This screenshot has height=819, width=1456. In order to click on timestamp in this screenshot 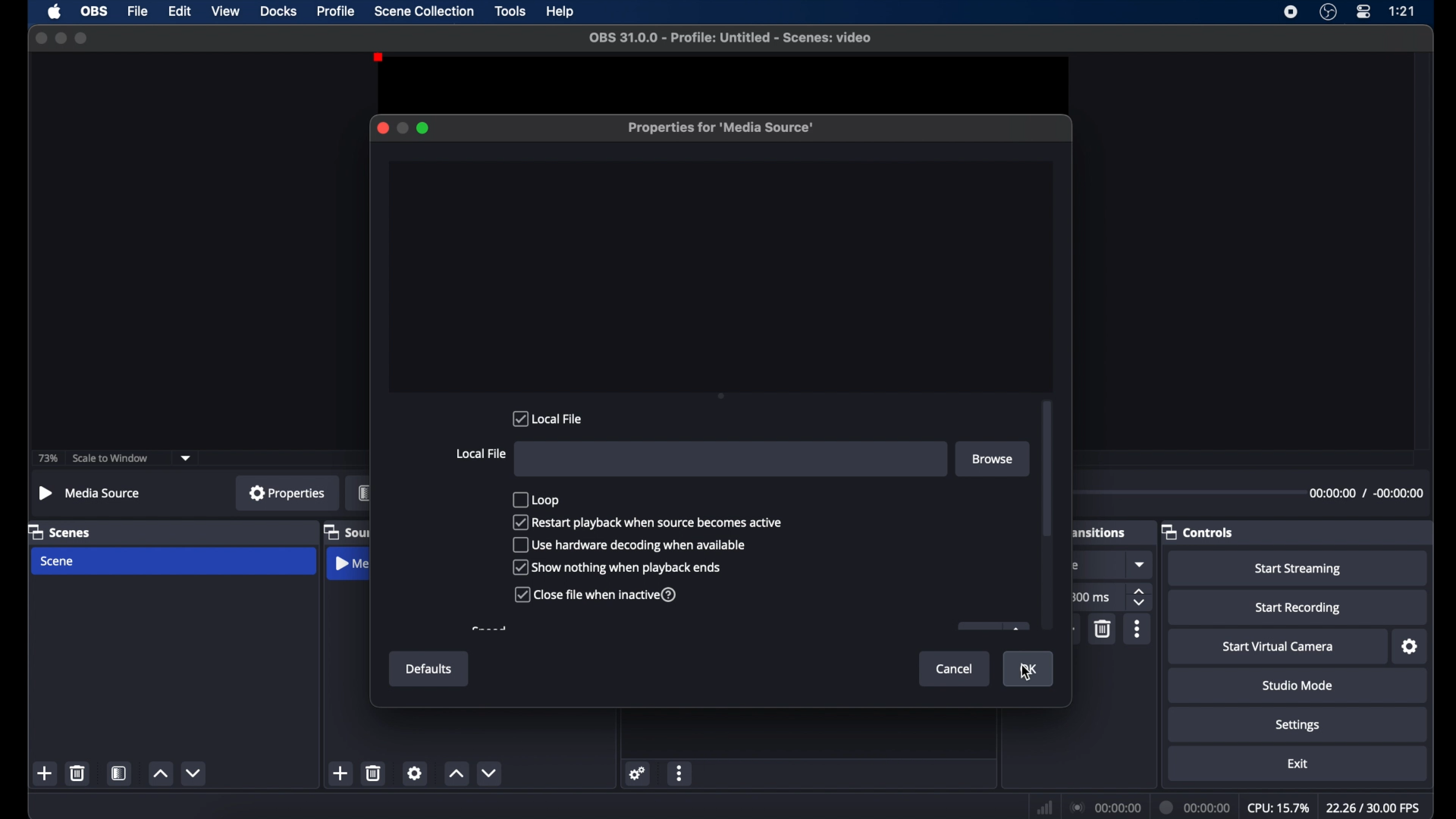, I will do `click(1366, 494)`.